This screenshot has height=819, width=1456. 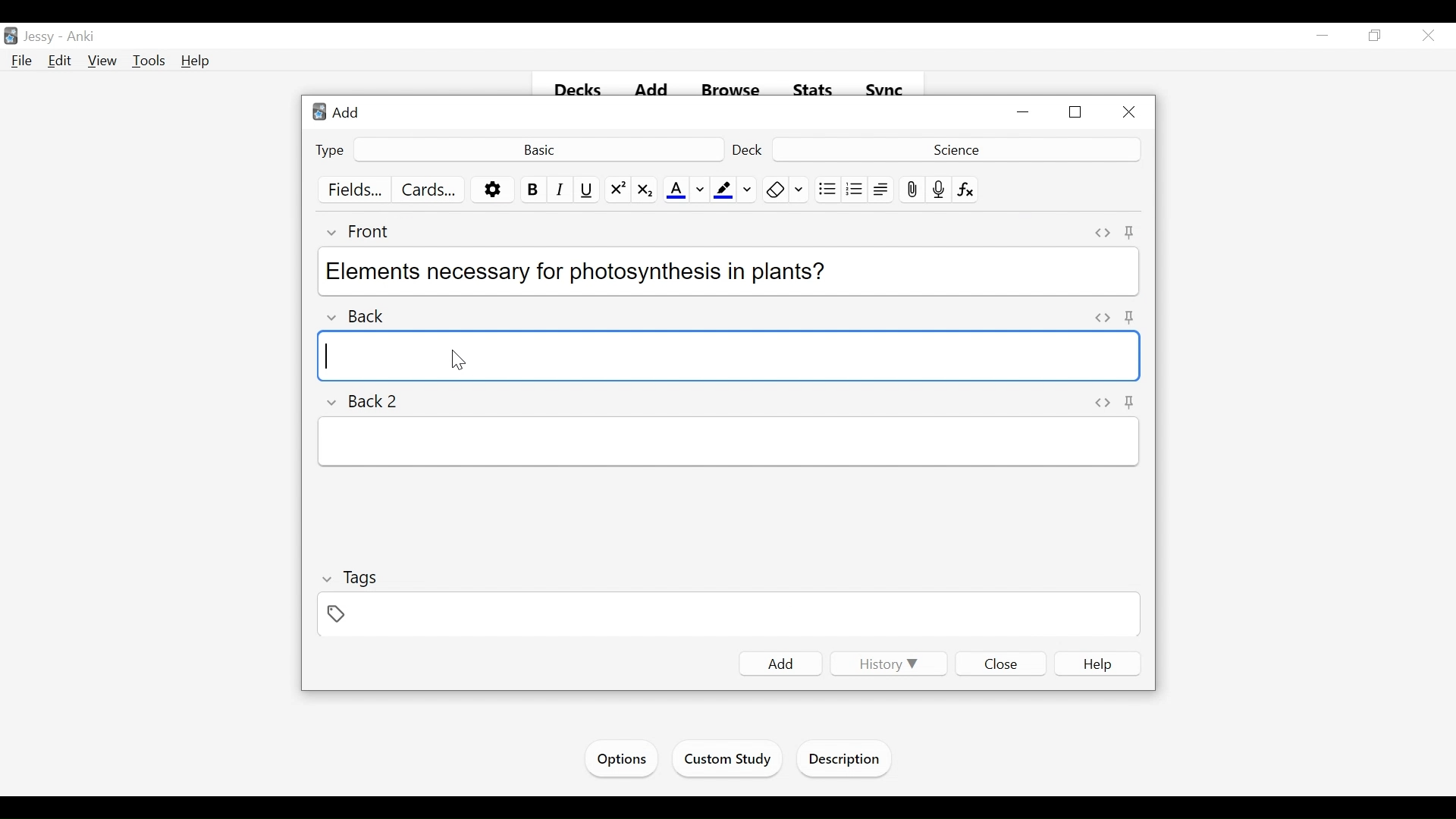 What do you see at coordinates (356, 190) in the screenshot?
I see `Fields` at bounding box center [356, 190].